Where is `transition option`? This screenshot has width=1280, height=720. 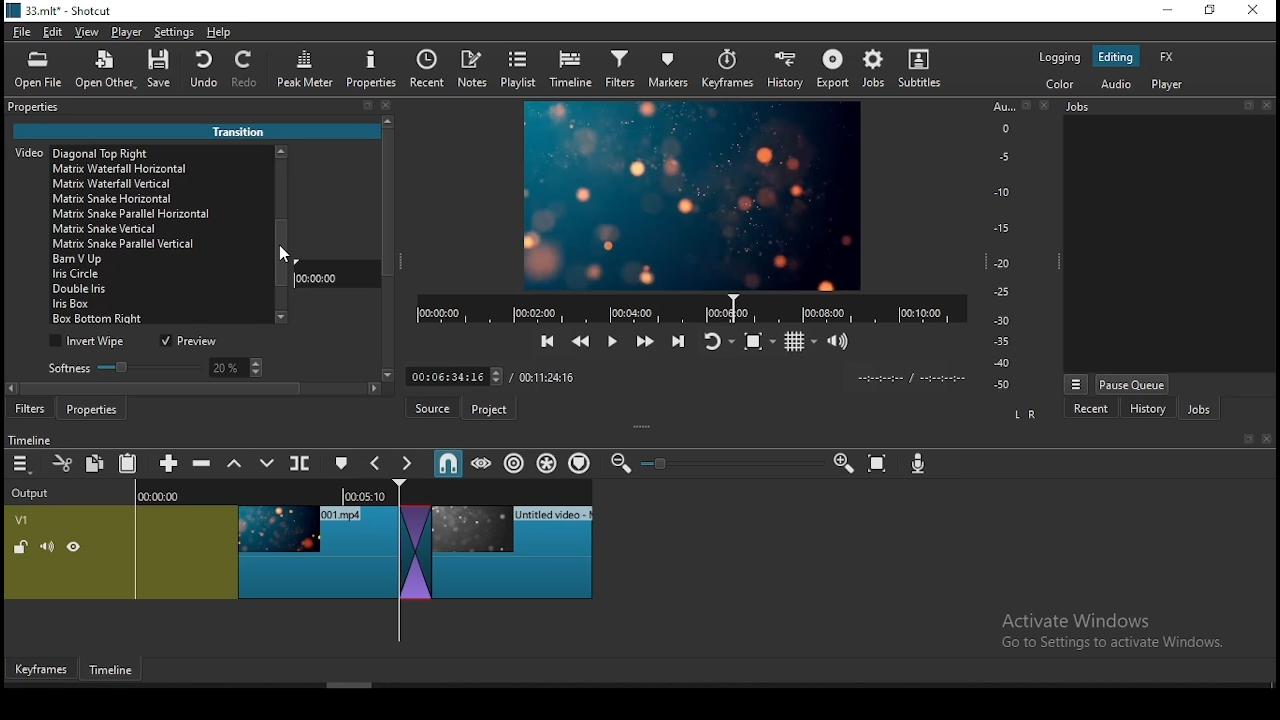
transition option is located at coordinates (157, 259).